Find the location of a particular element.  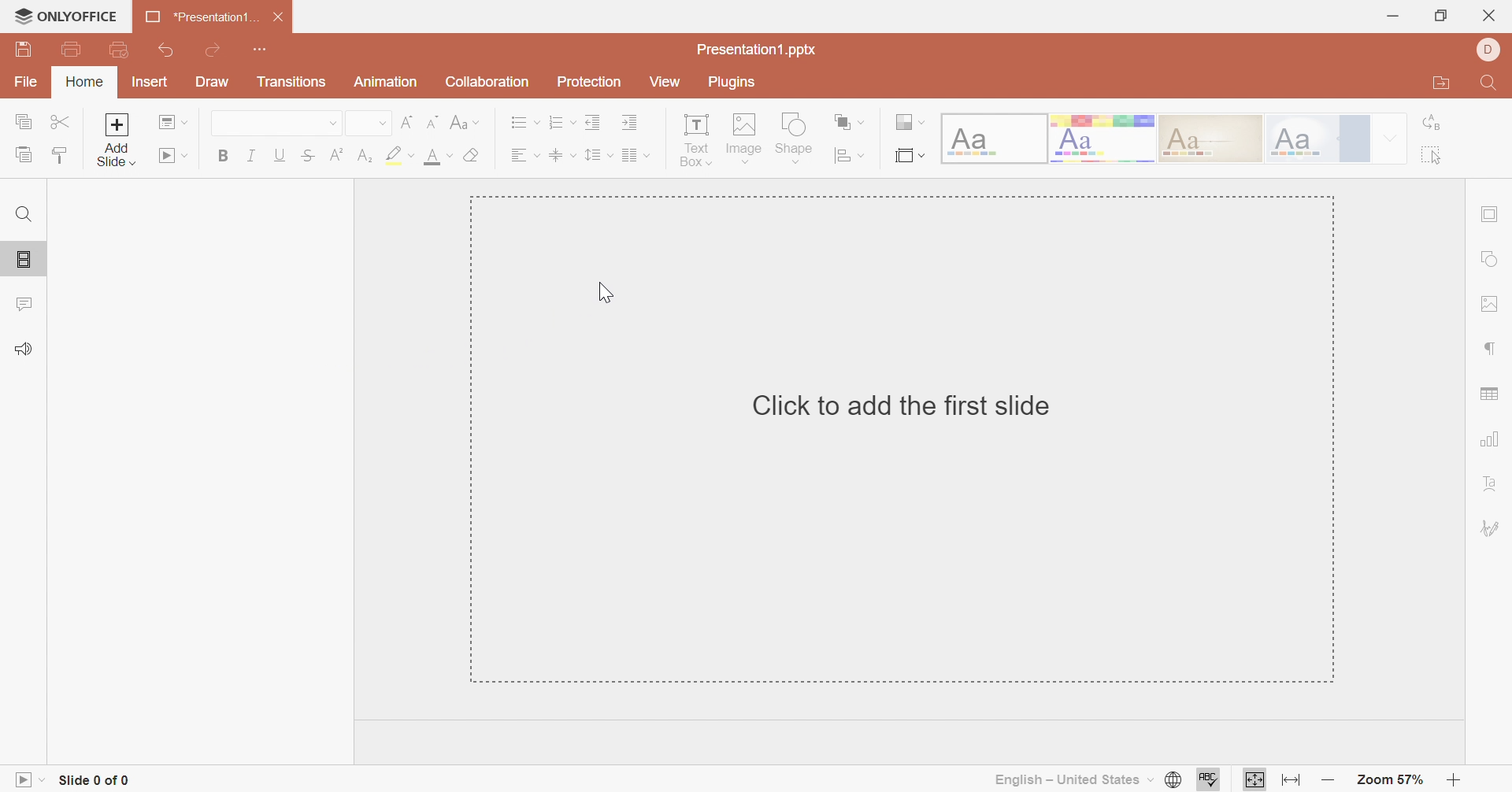

Drop Down is located at coordinates (383, 123).